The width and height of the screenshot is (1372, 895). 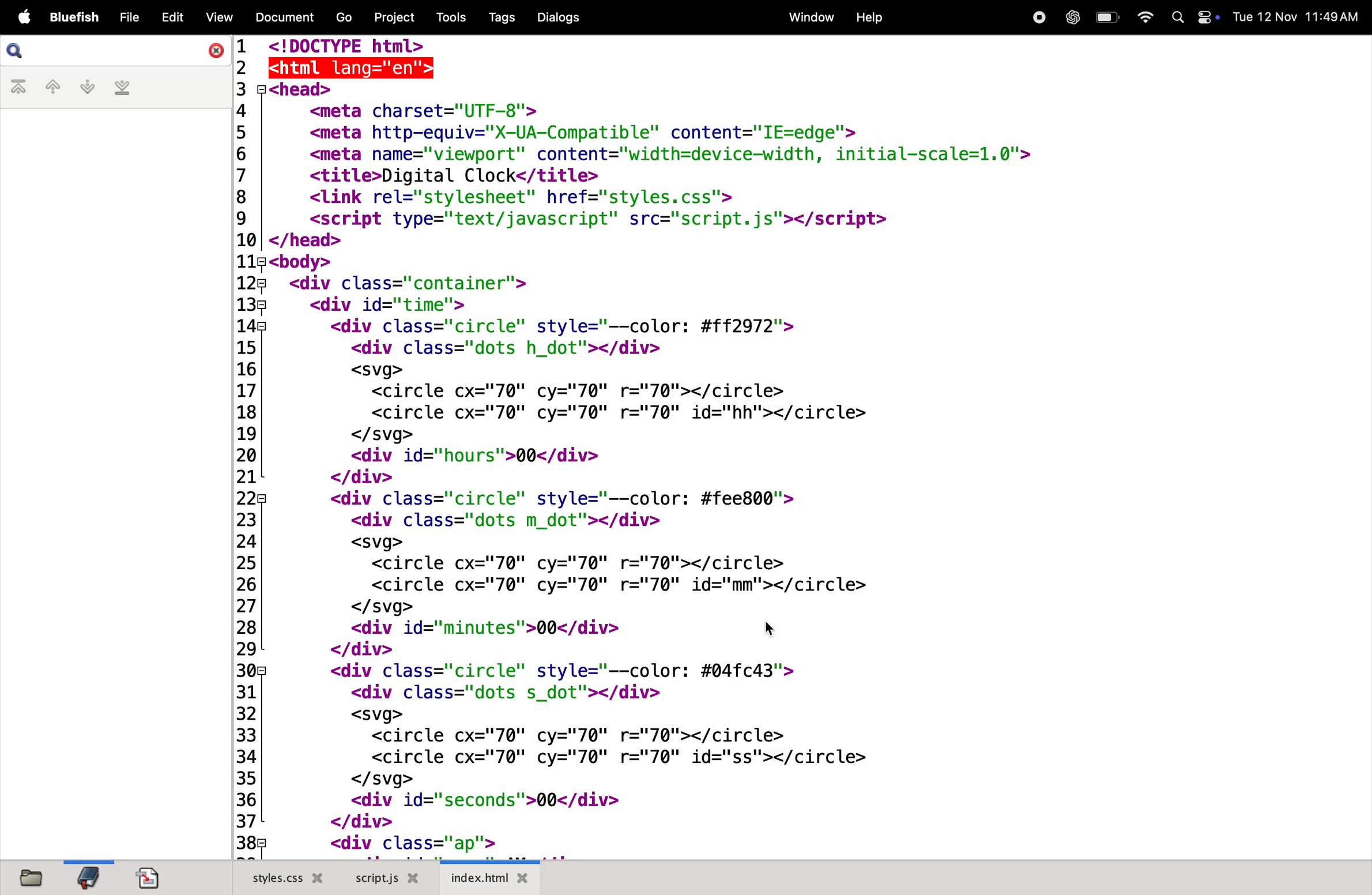 What do you see at coordinates (395, 18) in the screenshot?
I see `projects` at bounding box center [395, 18].